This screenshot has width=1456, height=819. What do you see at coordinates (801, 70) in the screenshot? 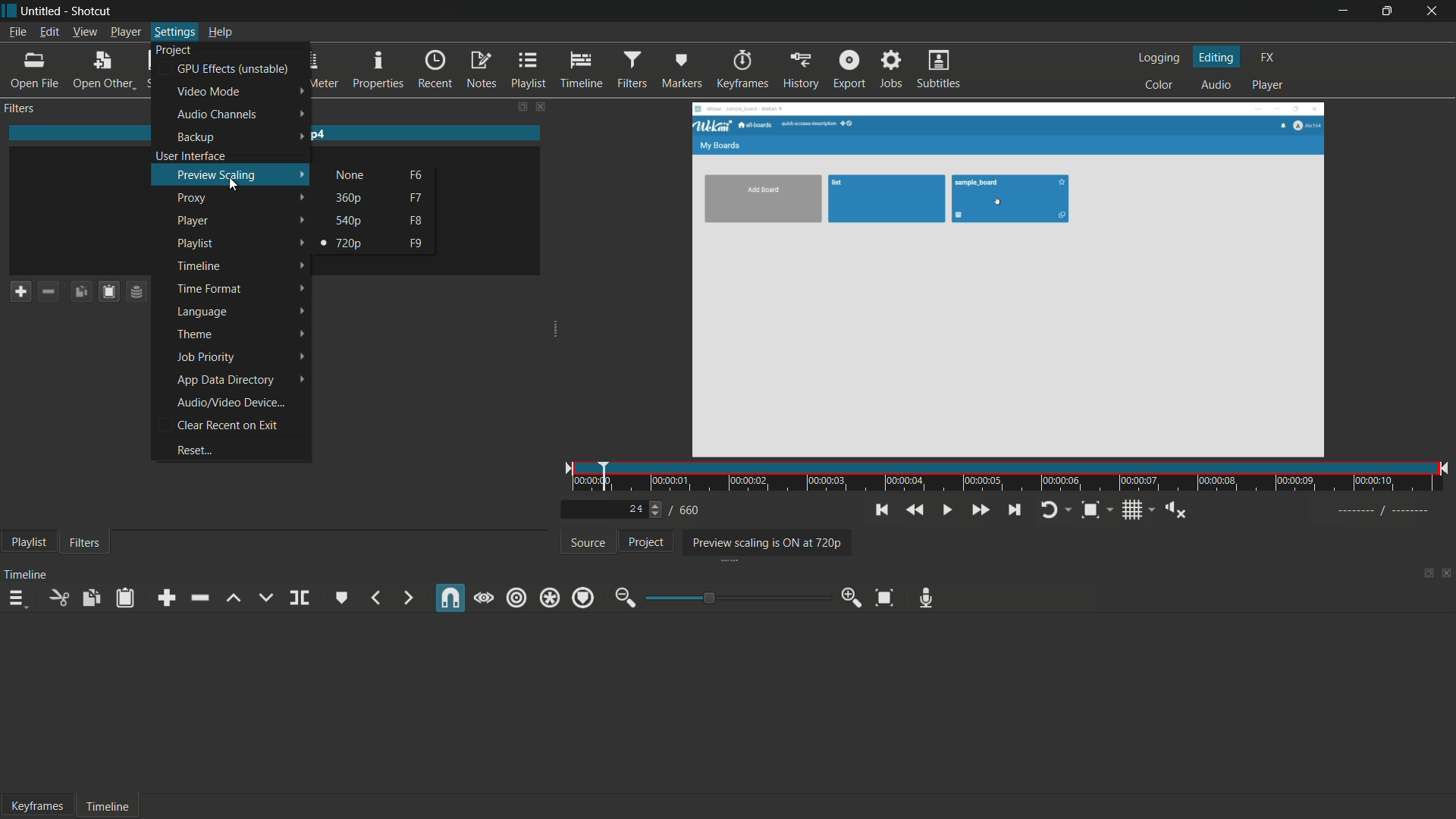
I see `history` at bounding box center [801, 70].